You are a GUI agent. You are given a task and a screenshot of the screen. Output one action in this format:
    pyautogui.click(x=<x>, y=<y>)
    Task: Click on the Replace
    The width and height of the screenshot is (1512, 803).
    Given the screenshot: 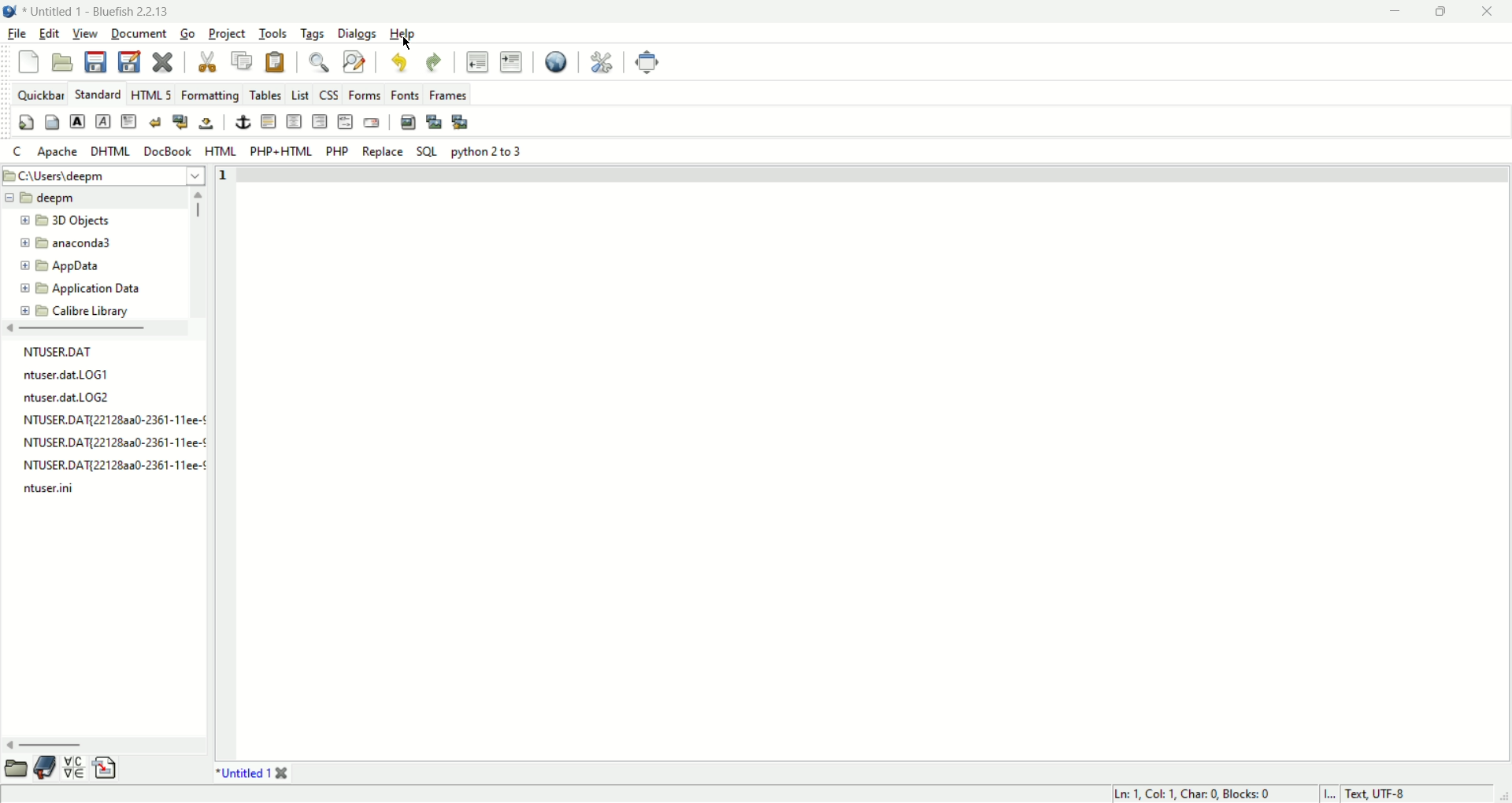 What is the action you would take?
    pyautogui.click(x=381, y=153)
    